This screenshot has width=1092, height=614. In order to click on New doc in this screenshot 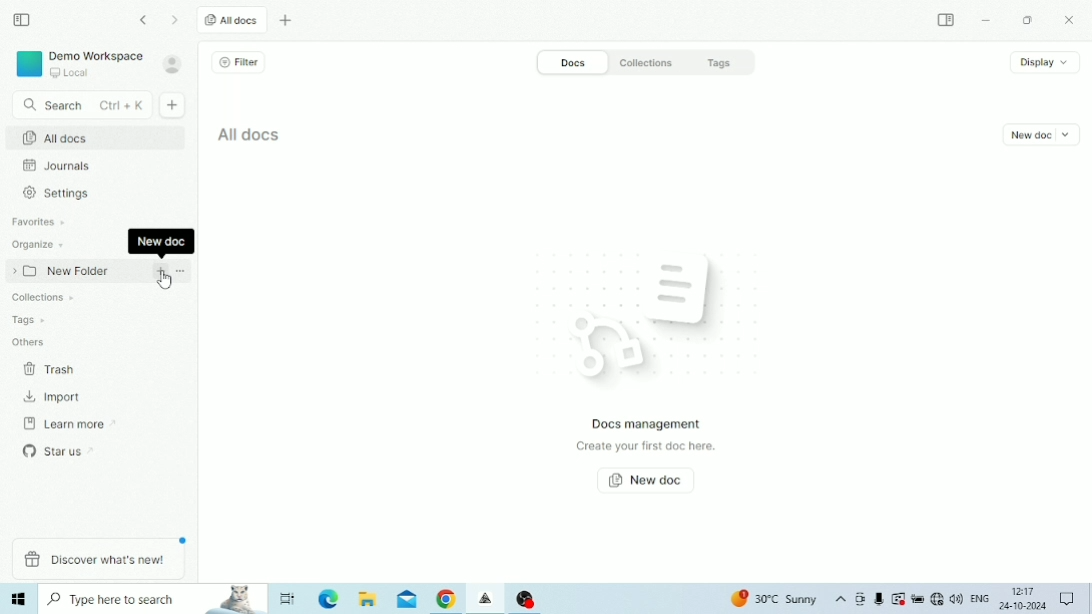, I will do `click(648, 481)`.